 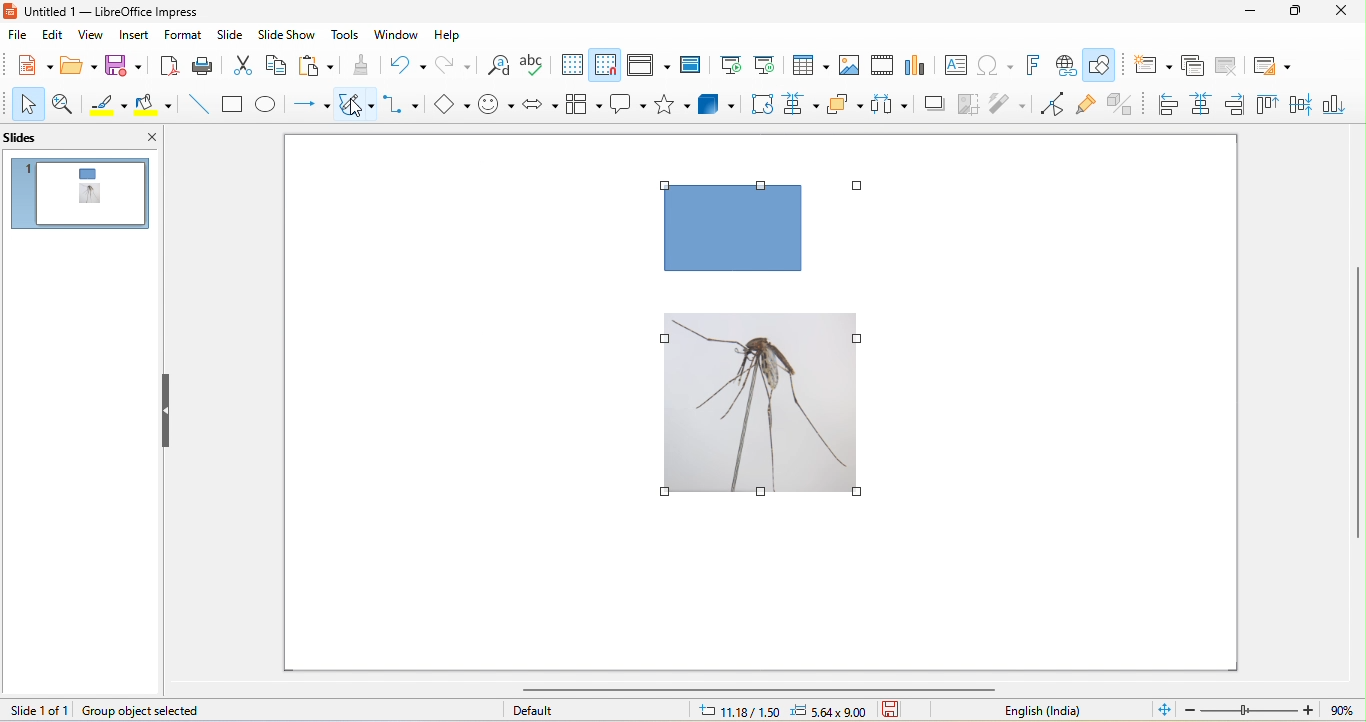 What do you see at coordinates (292, 37) in the screenshot?
I see `slide show` at bounding box center [292, 37].